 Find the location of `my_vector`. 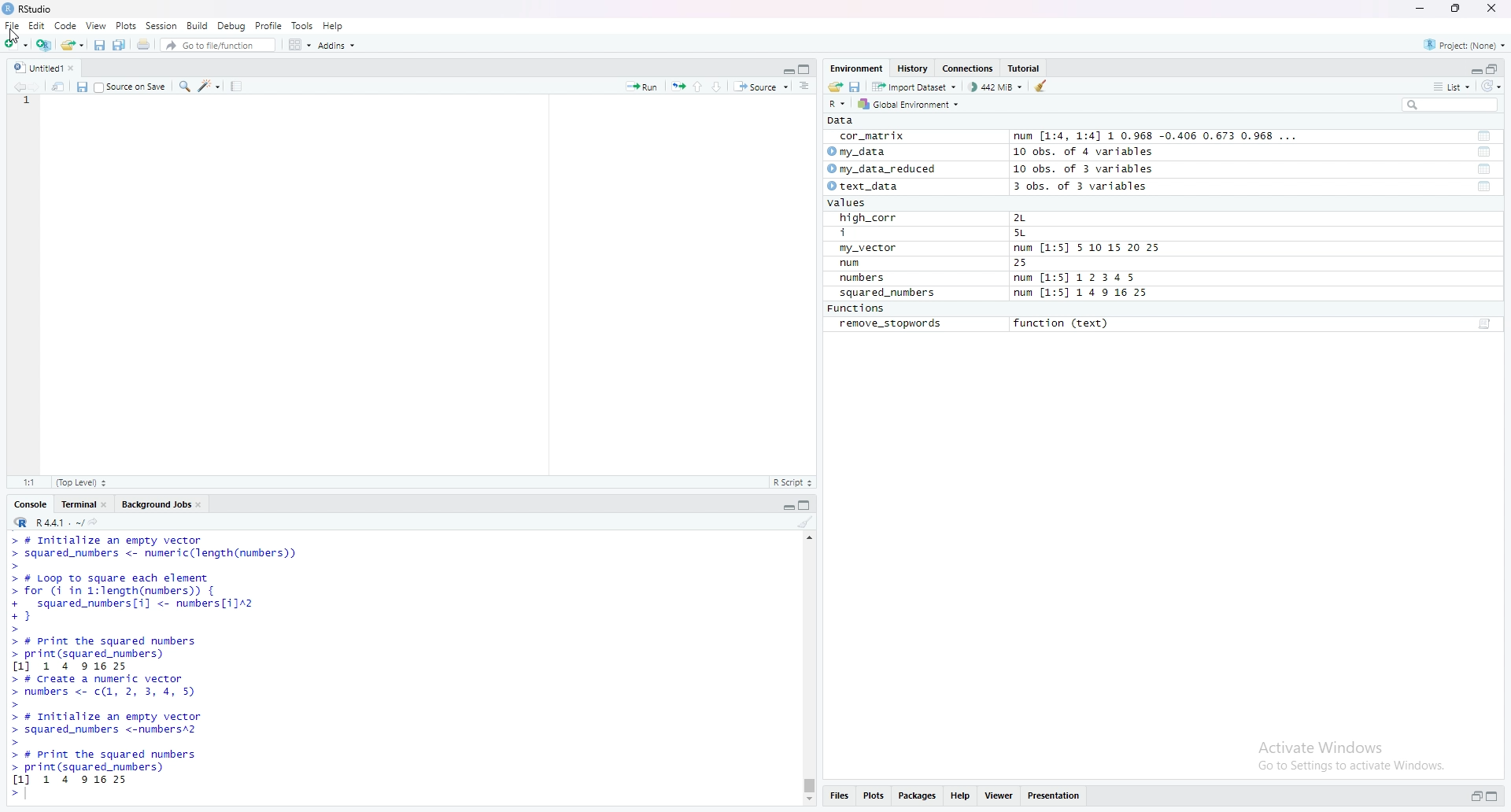

my_vector is located at coordinates (871, 248).